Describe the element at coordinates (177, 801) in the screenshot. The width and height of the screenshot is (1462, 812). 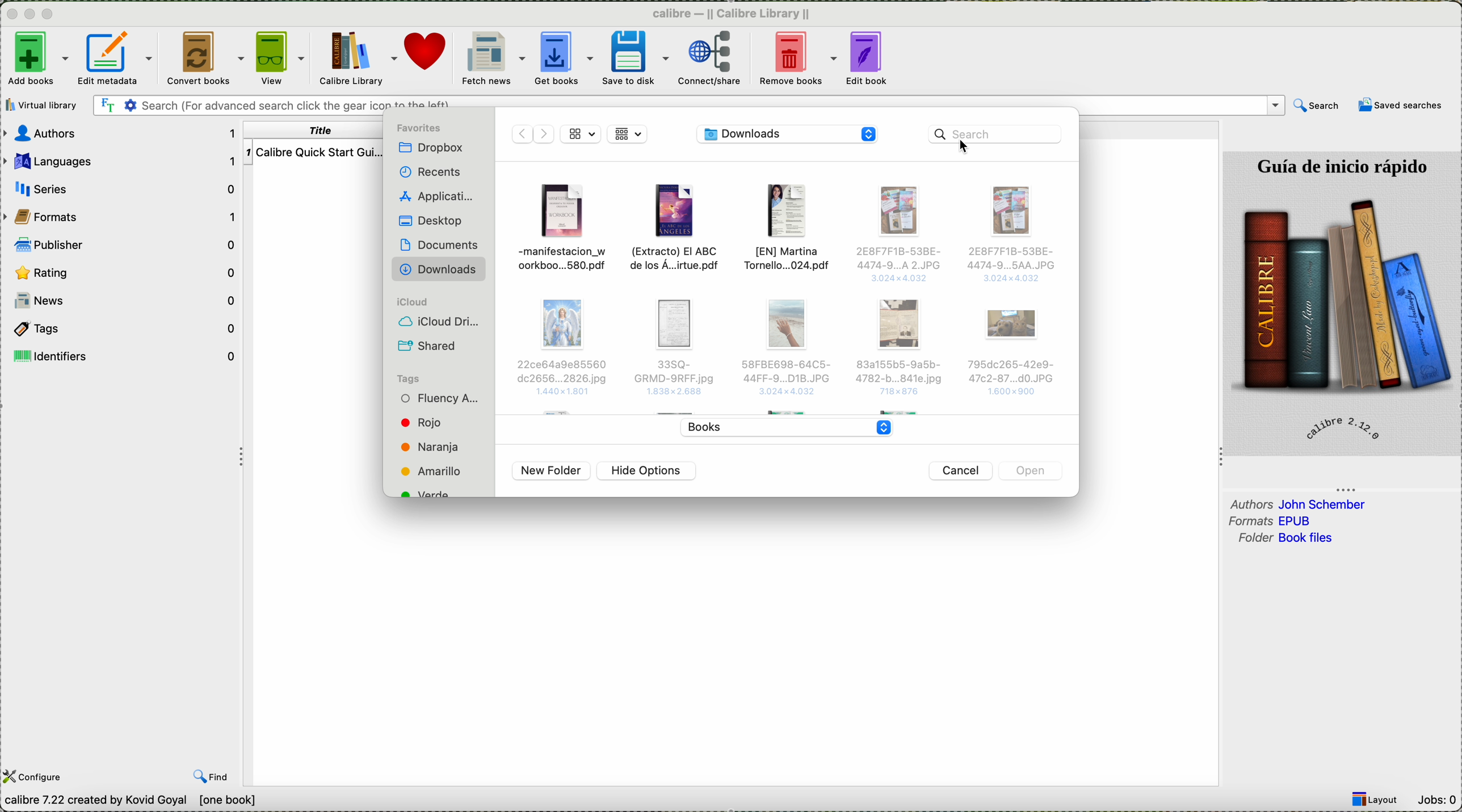
I see `data` at that location.